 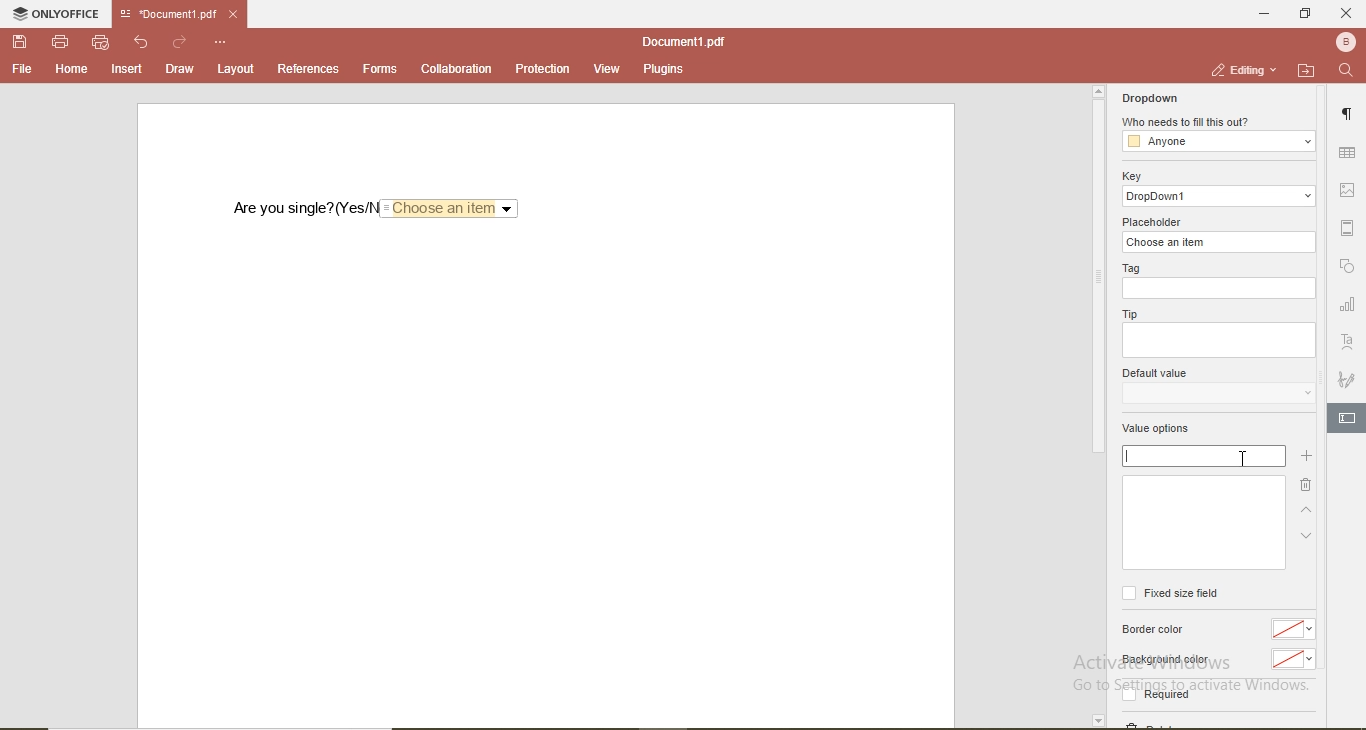 What do you see at coordinates (1217, 196) in the screenshot?
I see `dropdowm1` at bounding box center [1217, 196].